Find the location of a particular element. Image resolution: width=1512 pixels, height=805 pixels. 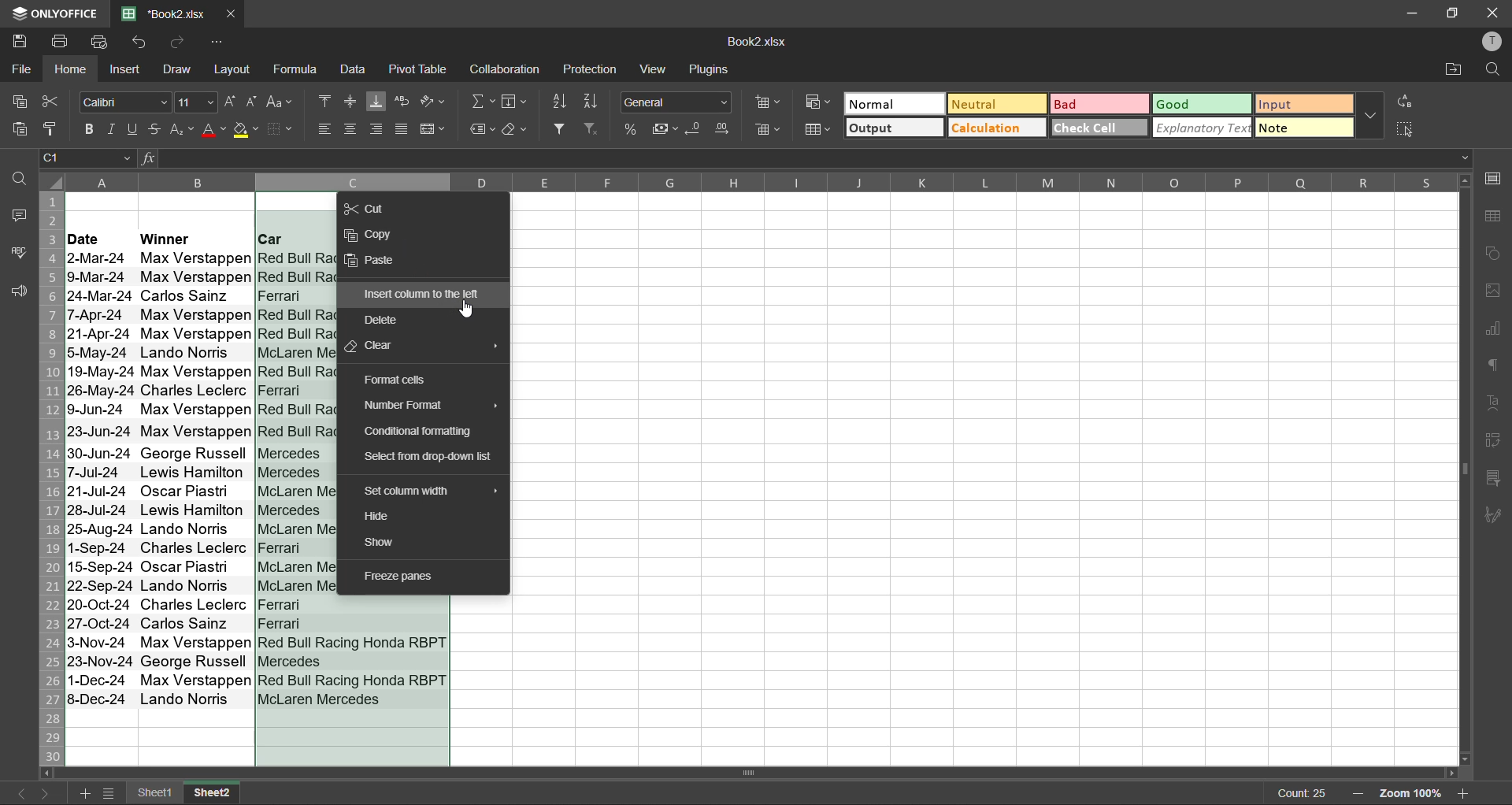

customize quick access toolbar is located at coordinates (219, 43).